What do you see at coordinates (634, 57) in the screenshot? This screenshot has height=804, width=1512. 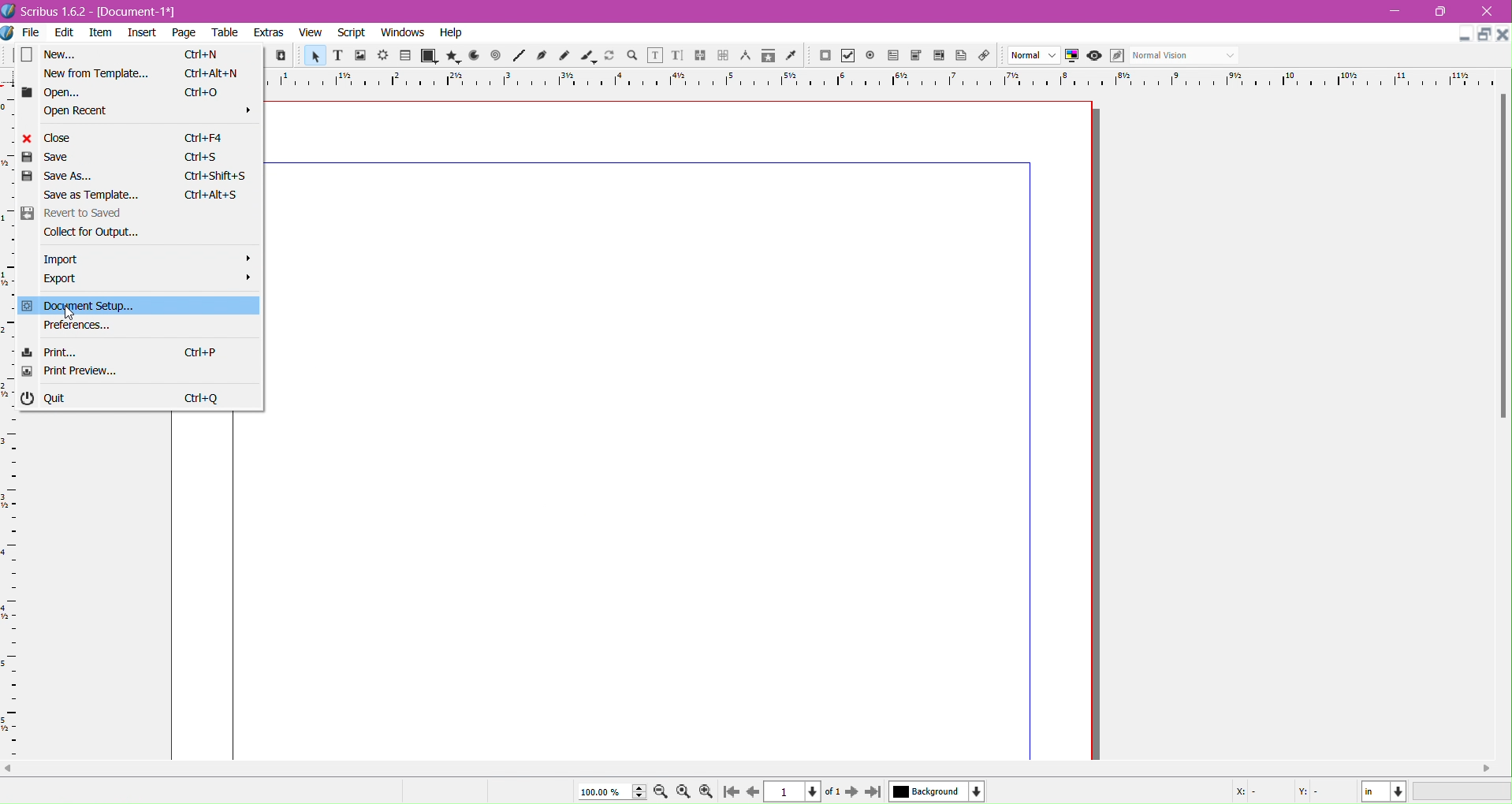 I see `zoom in or out` at bounding box center [634, 57].